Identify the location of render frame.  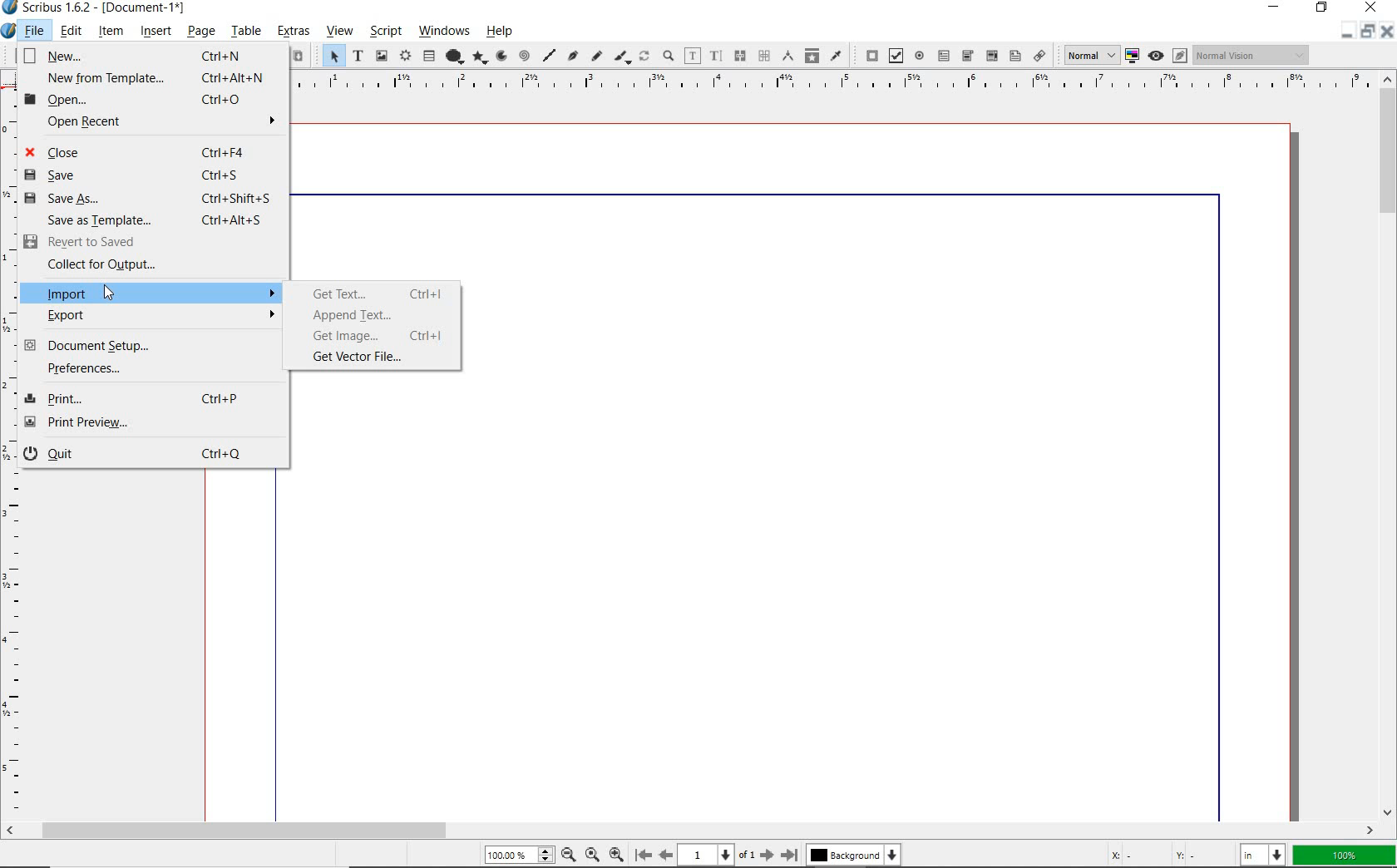
(403, 57).